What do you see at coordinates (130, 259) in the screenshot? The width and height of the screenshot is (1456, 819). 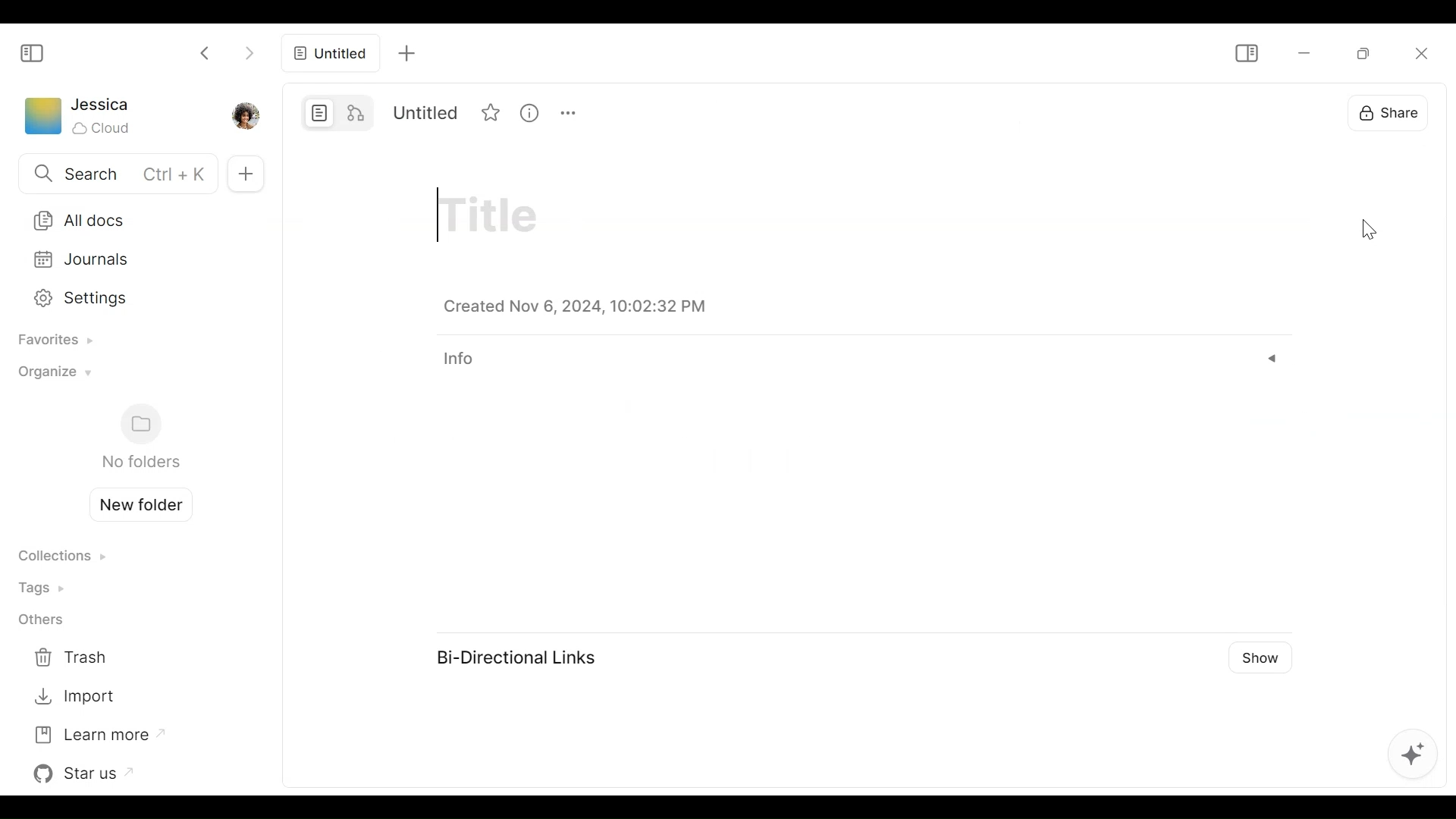 I see `Journals` at bounding box center [130, 259].